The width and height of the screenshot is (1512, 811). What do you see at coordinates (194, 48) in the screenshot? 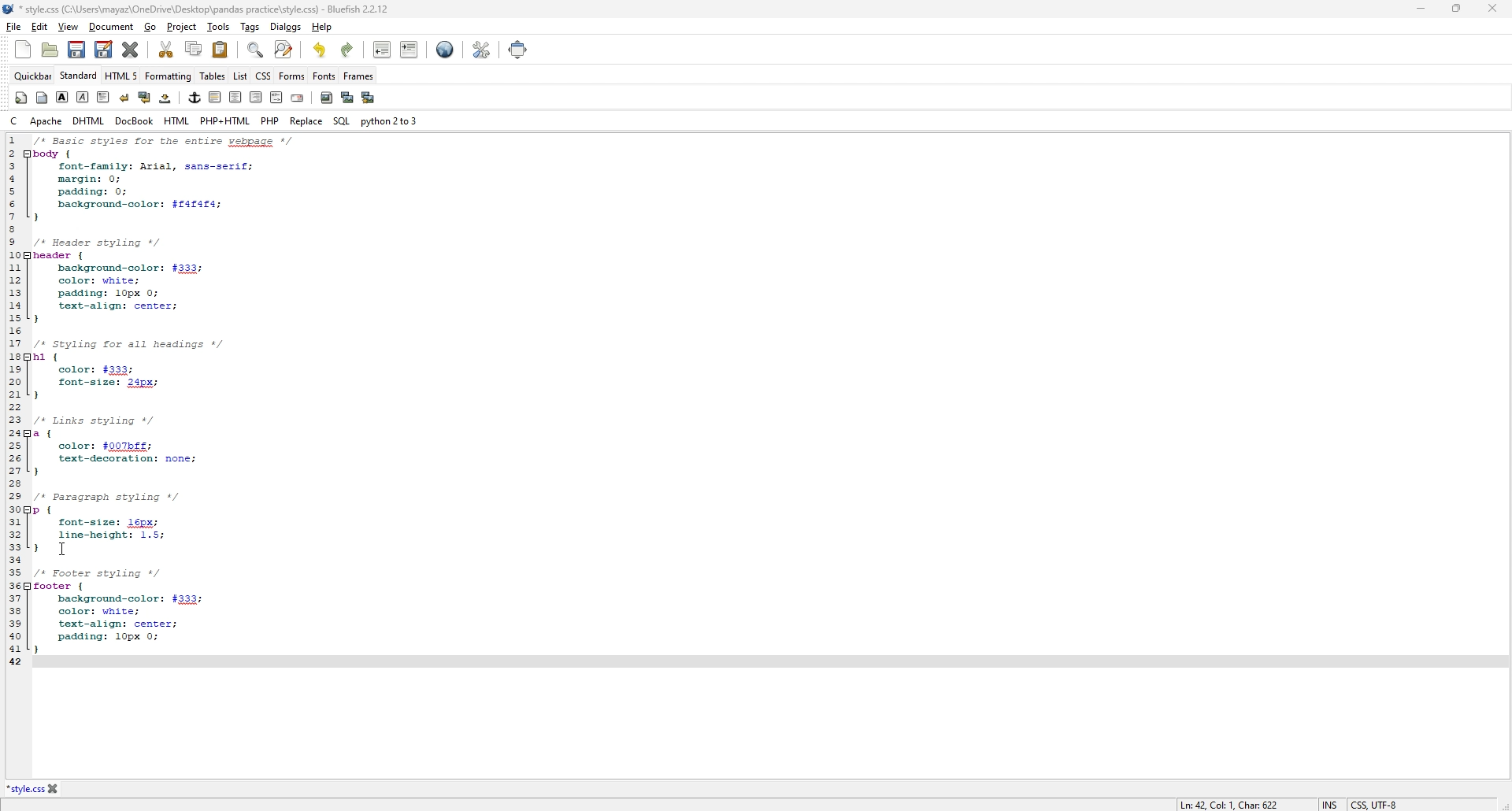
I see `copy` at bounding box center [194, 48].